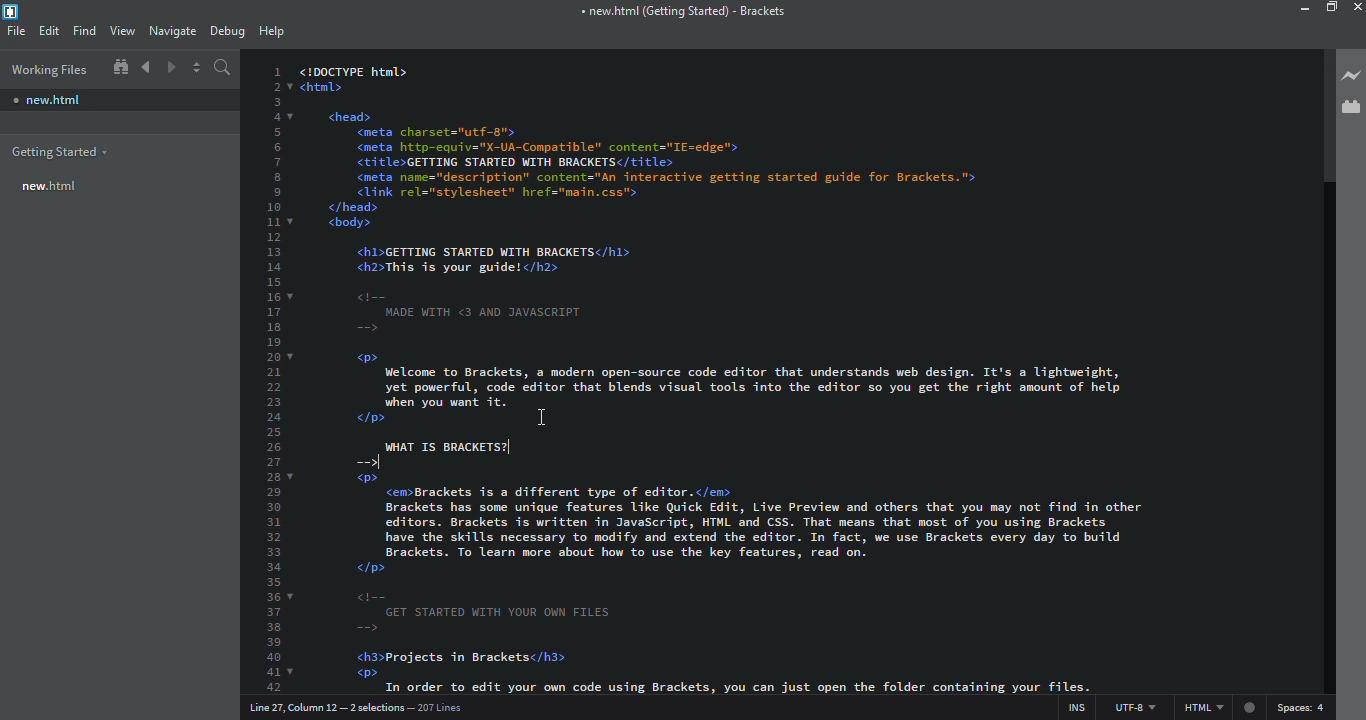 This screenshot has width=1366, height=720. Describe the element at coordinates (49, 31) in the screenshot. I see `edit` at that location.